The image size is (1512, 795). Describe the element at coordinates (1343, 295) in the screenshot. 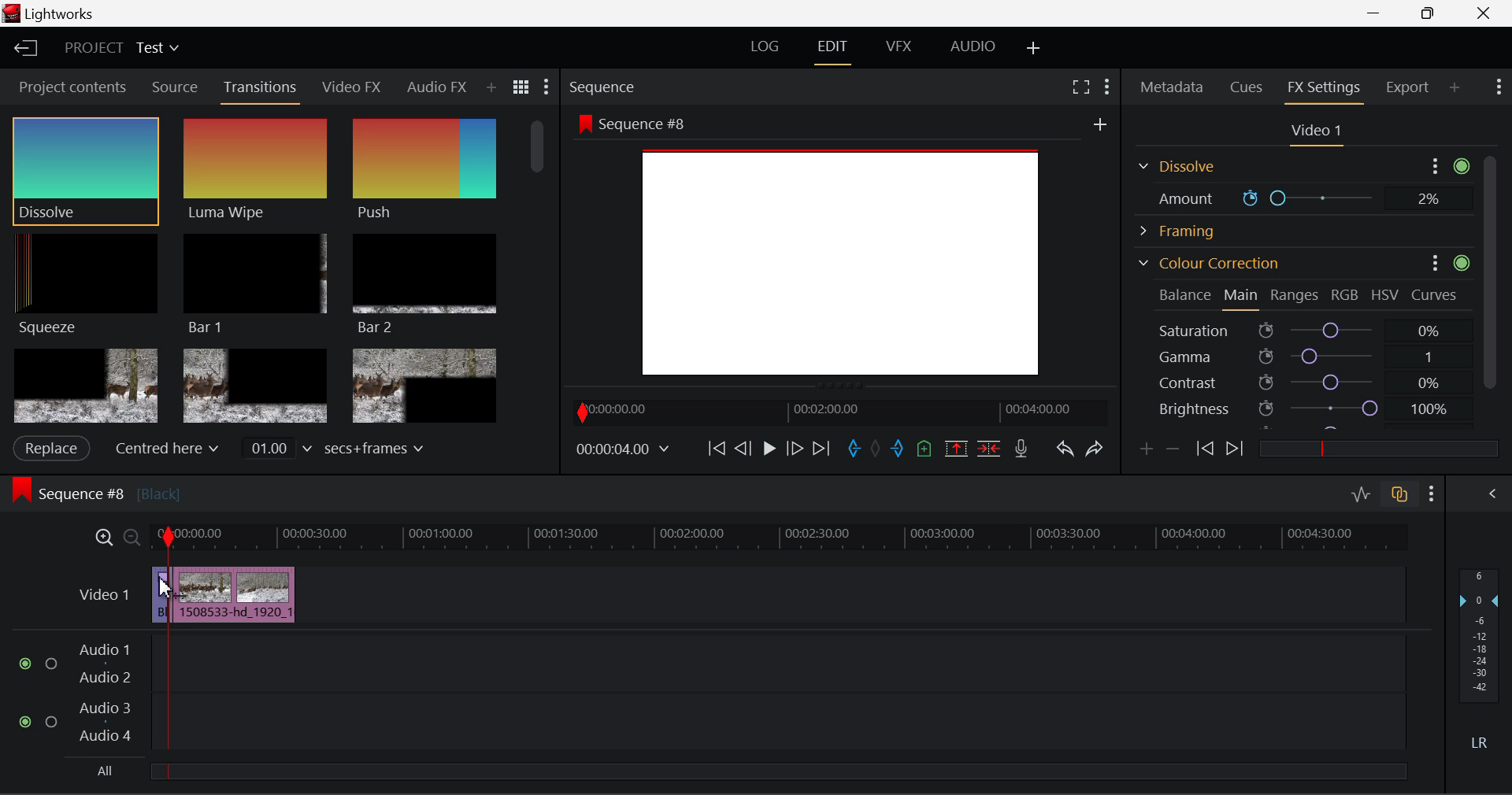

I see `RGB` at that location.